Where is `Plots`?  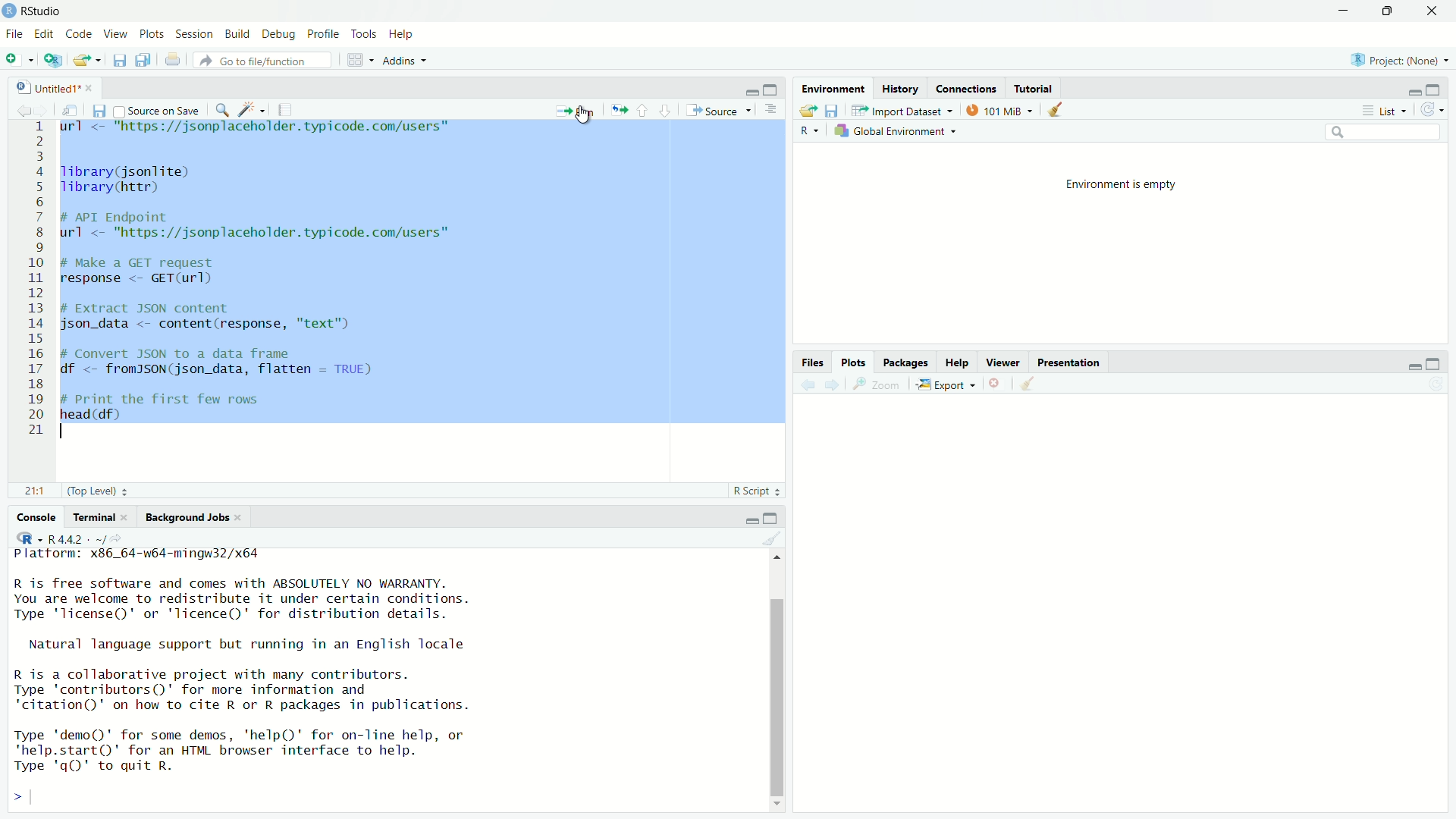
Plots is located at coordinates (151, 34).